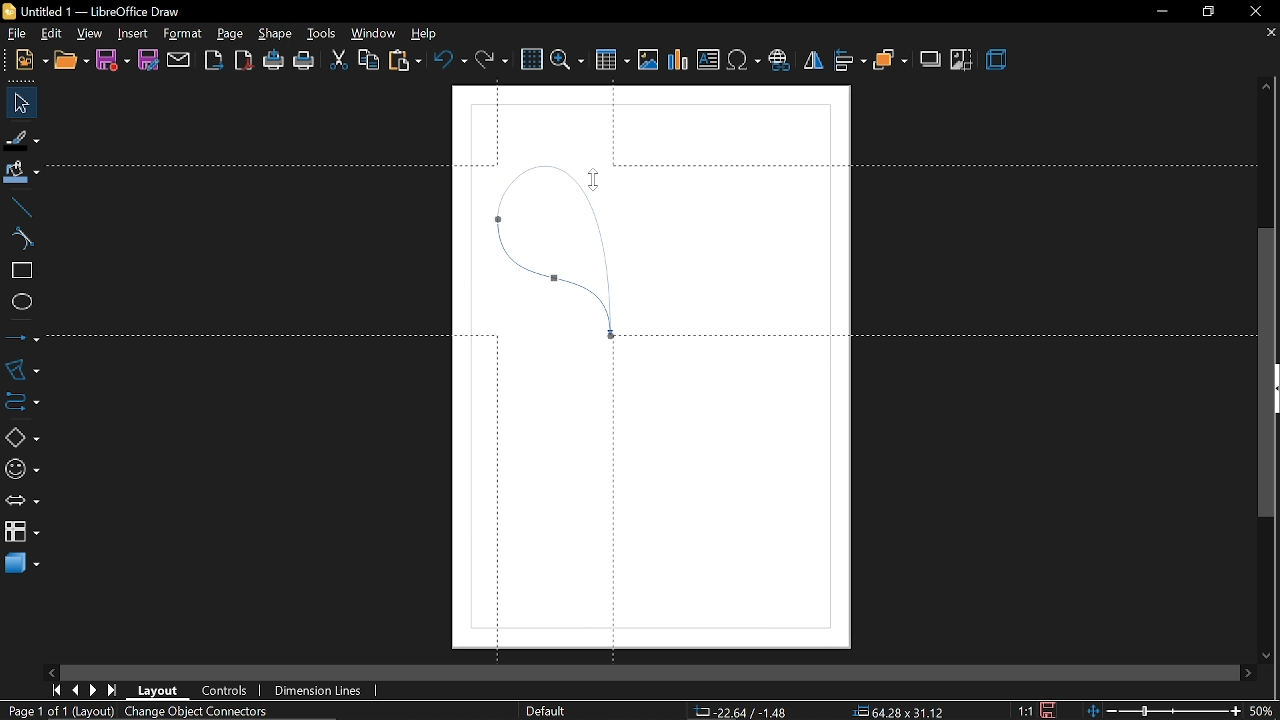 This screenshot has width=1280, height=720. I want to click on minimize, so click(1158, 12).